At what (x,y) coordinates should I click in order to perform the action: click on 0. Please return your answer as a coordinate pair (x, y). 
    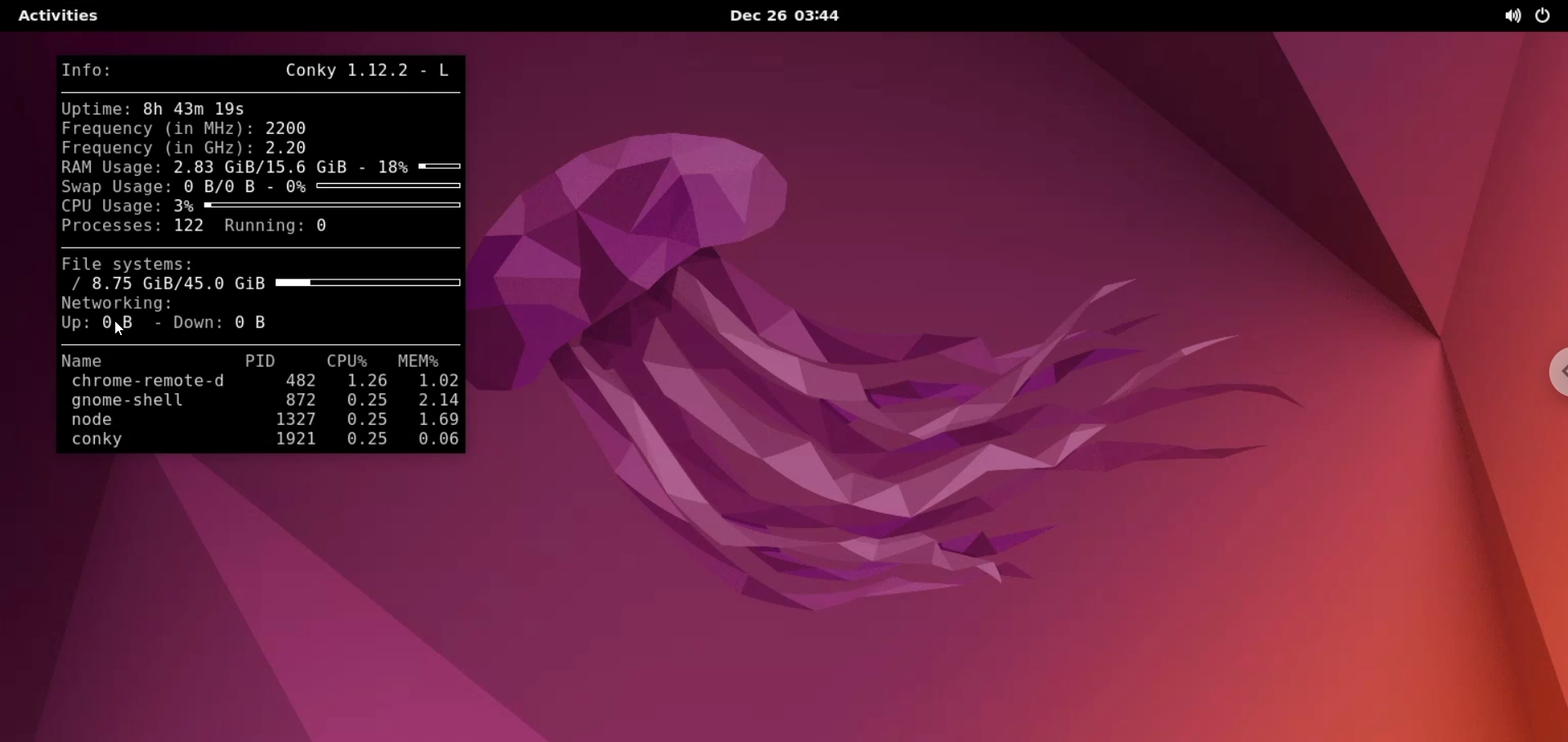
    Looking at the image, I should click on (329, 226).